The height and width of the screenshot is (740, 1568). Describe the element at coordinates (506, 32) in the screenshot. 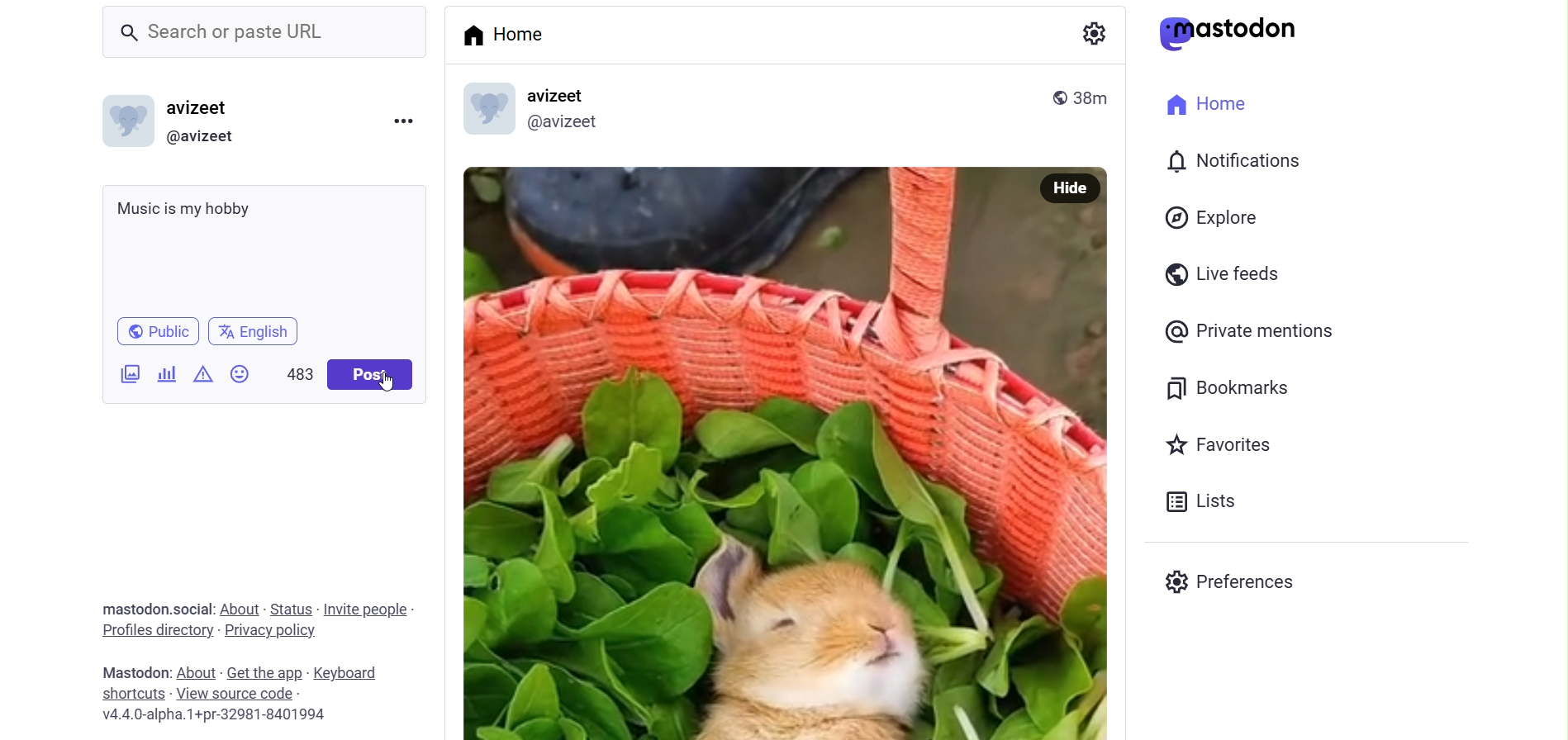

I see `Home` at that location.